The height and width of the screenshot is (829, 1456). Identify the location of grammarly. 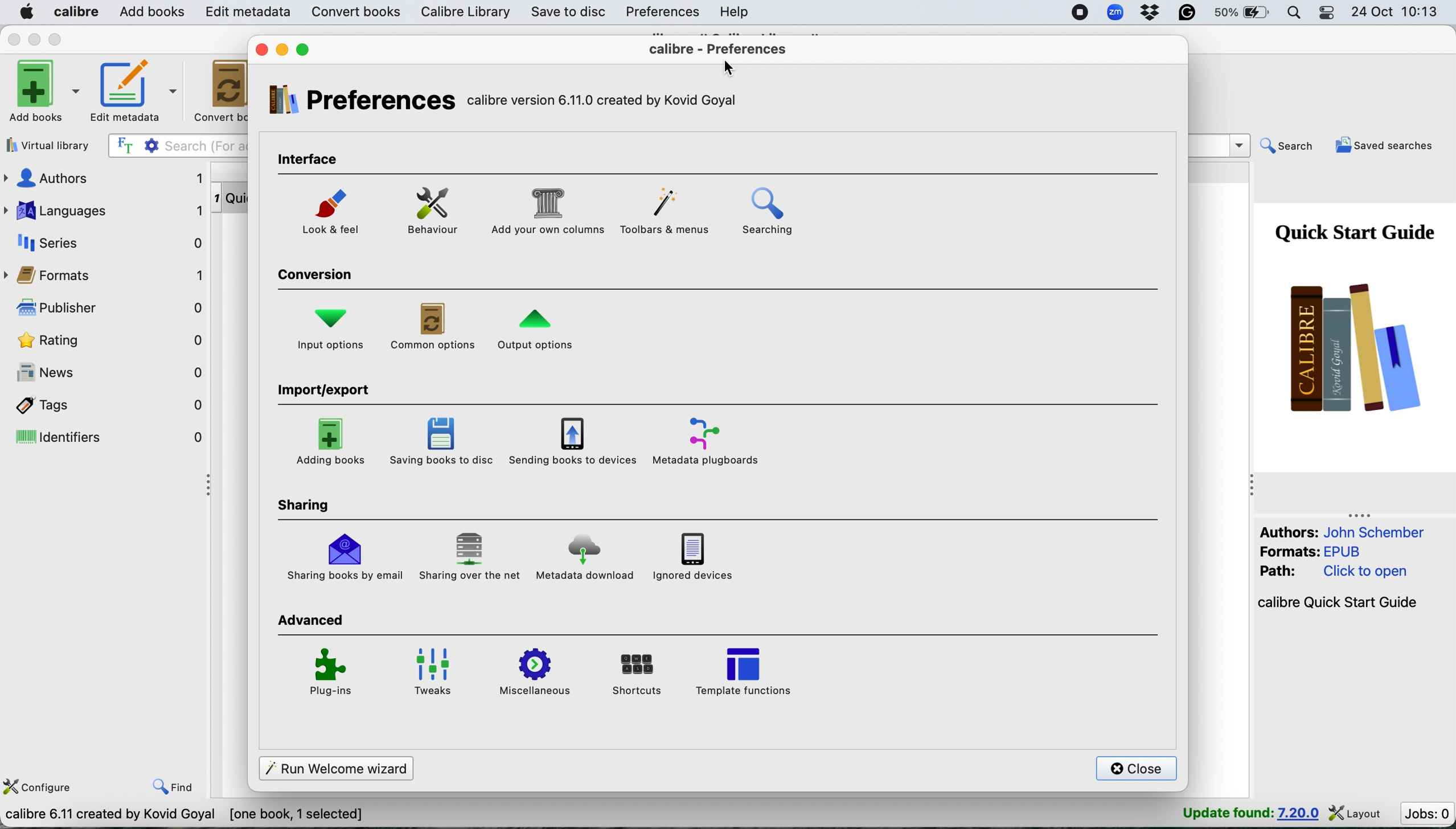
(1186, 12).